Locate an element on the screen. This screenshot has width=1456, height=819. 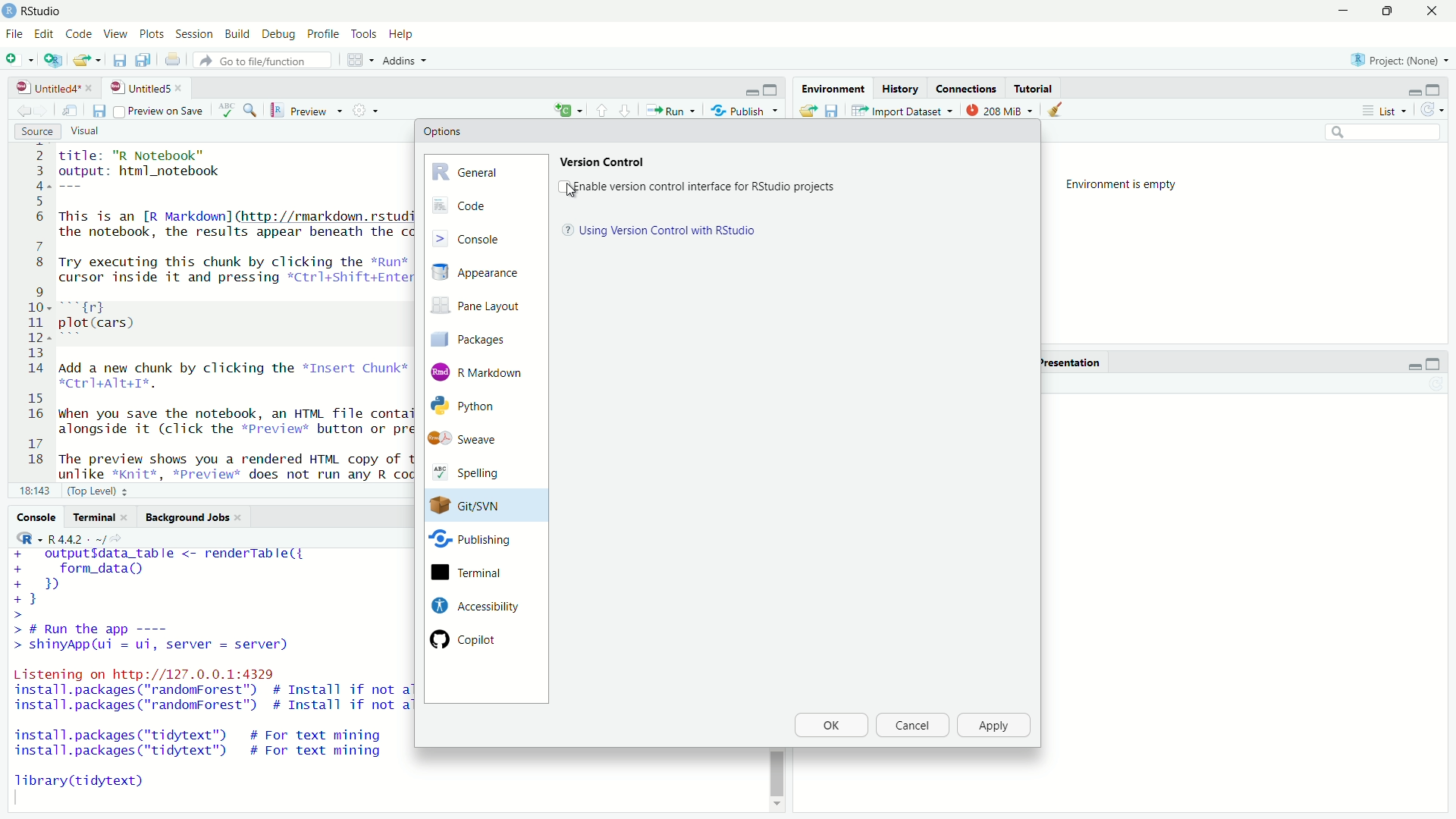
C Add menu is located at coordinates (568, 108).